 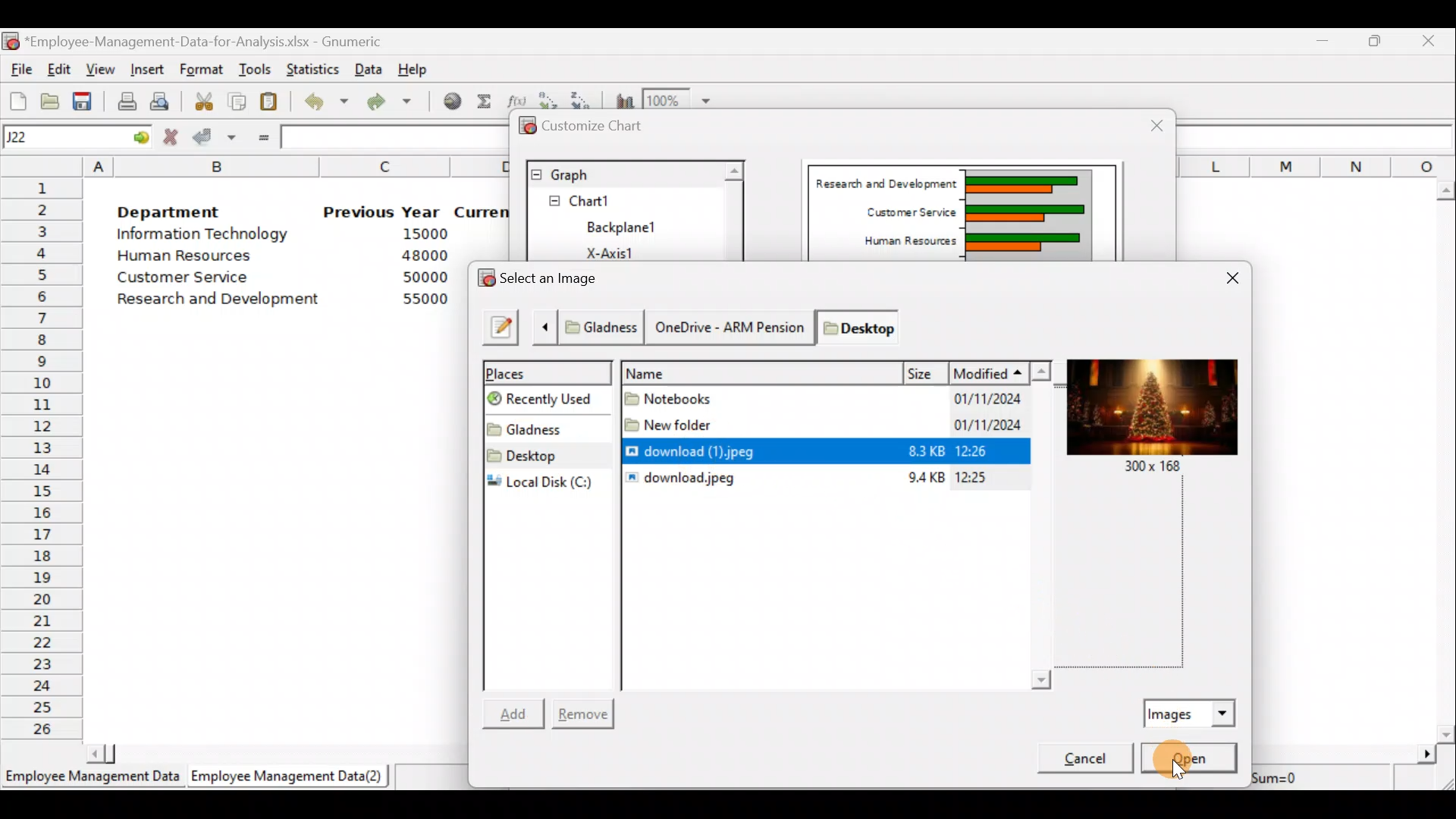 I want to click on Accept change, so click(x=214, y=139).